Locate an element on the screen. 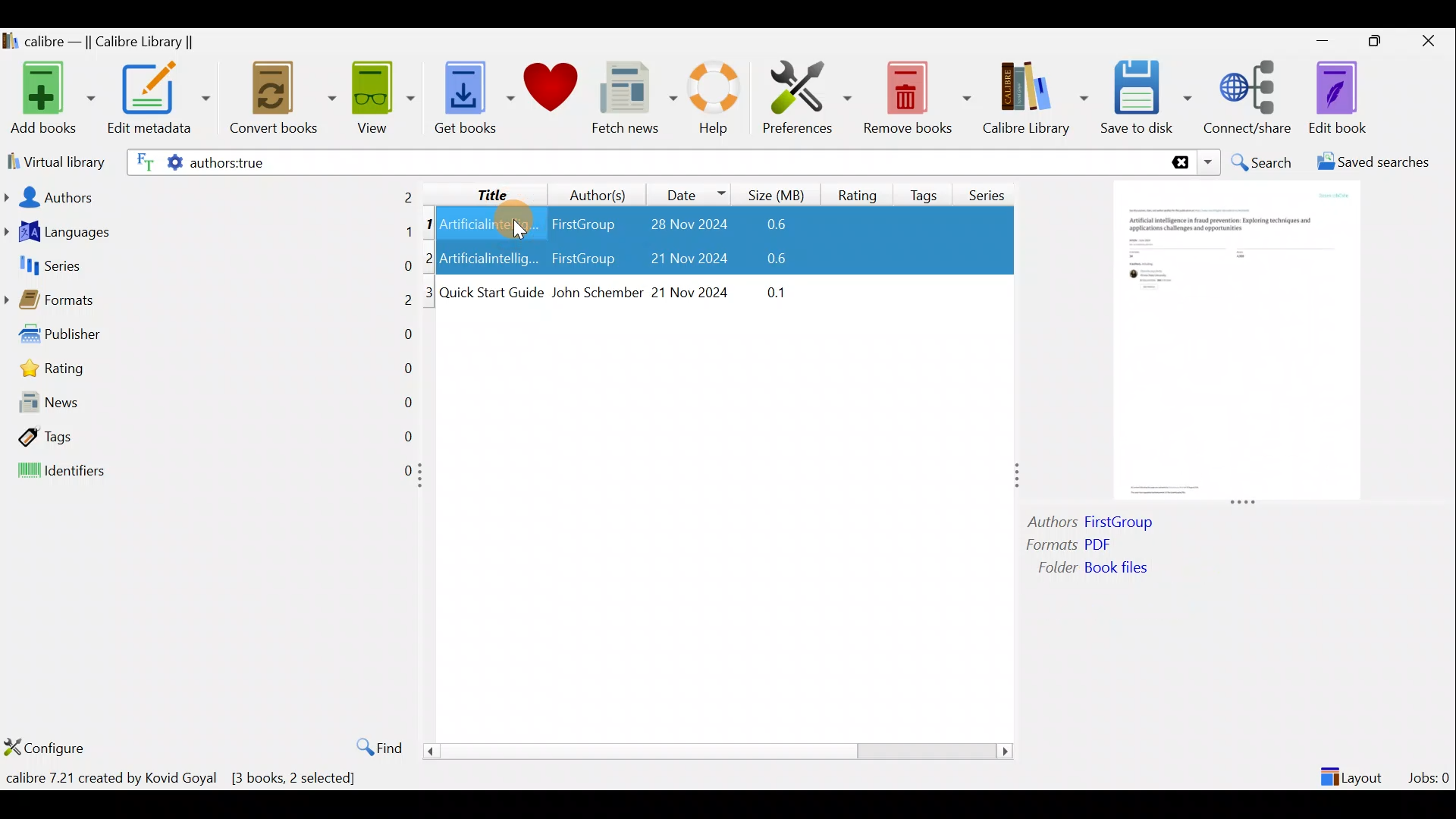  28 Nov 2024 is located at coordinates (681, 226).